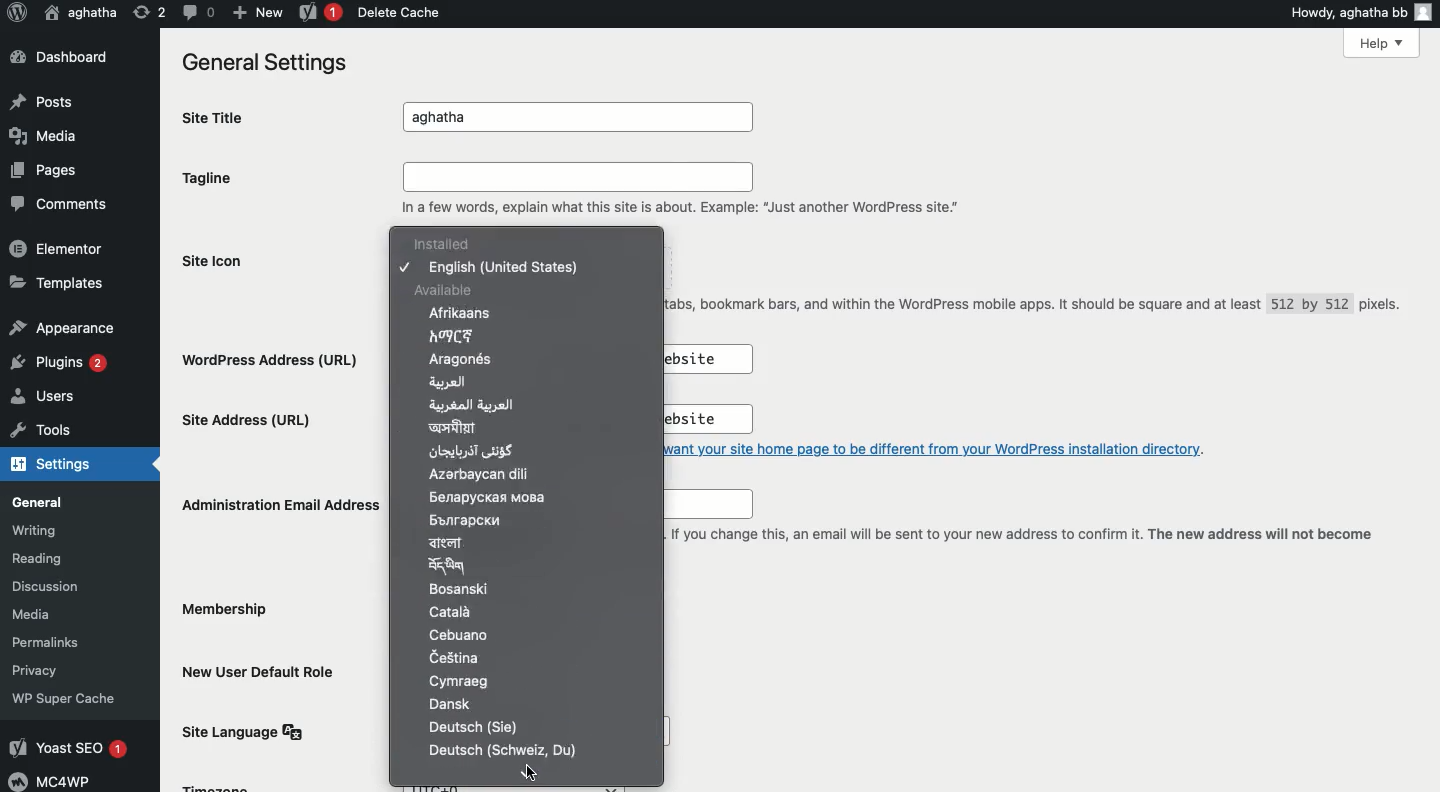  Describe the element at coordinates (584, 118) in the screenshot. I see `aghatha` at that location.